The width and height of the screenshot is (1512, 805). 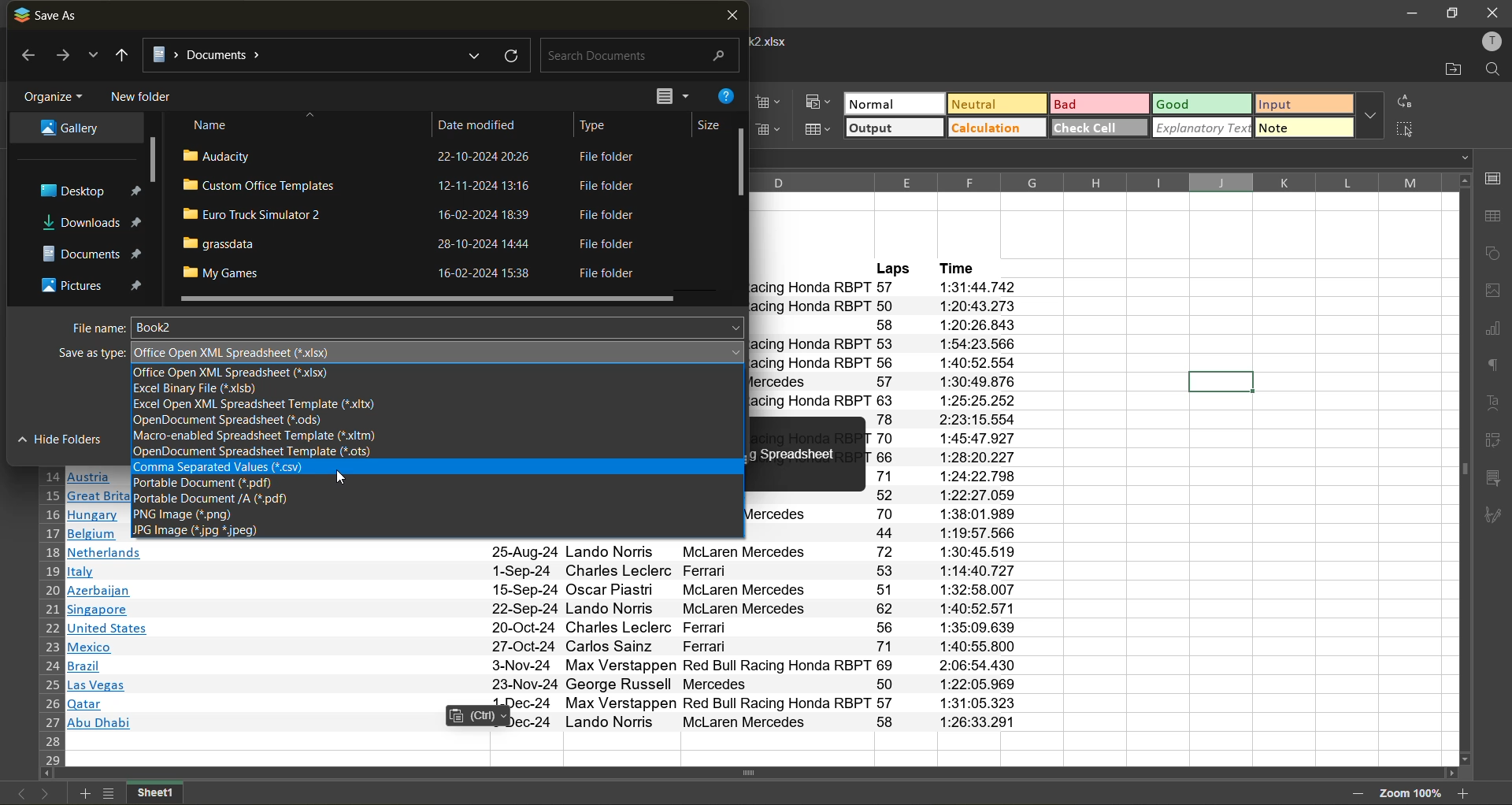 I want to click on pivot table, so click(x=1495, y=443).